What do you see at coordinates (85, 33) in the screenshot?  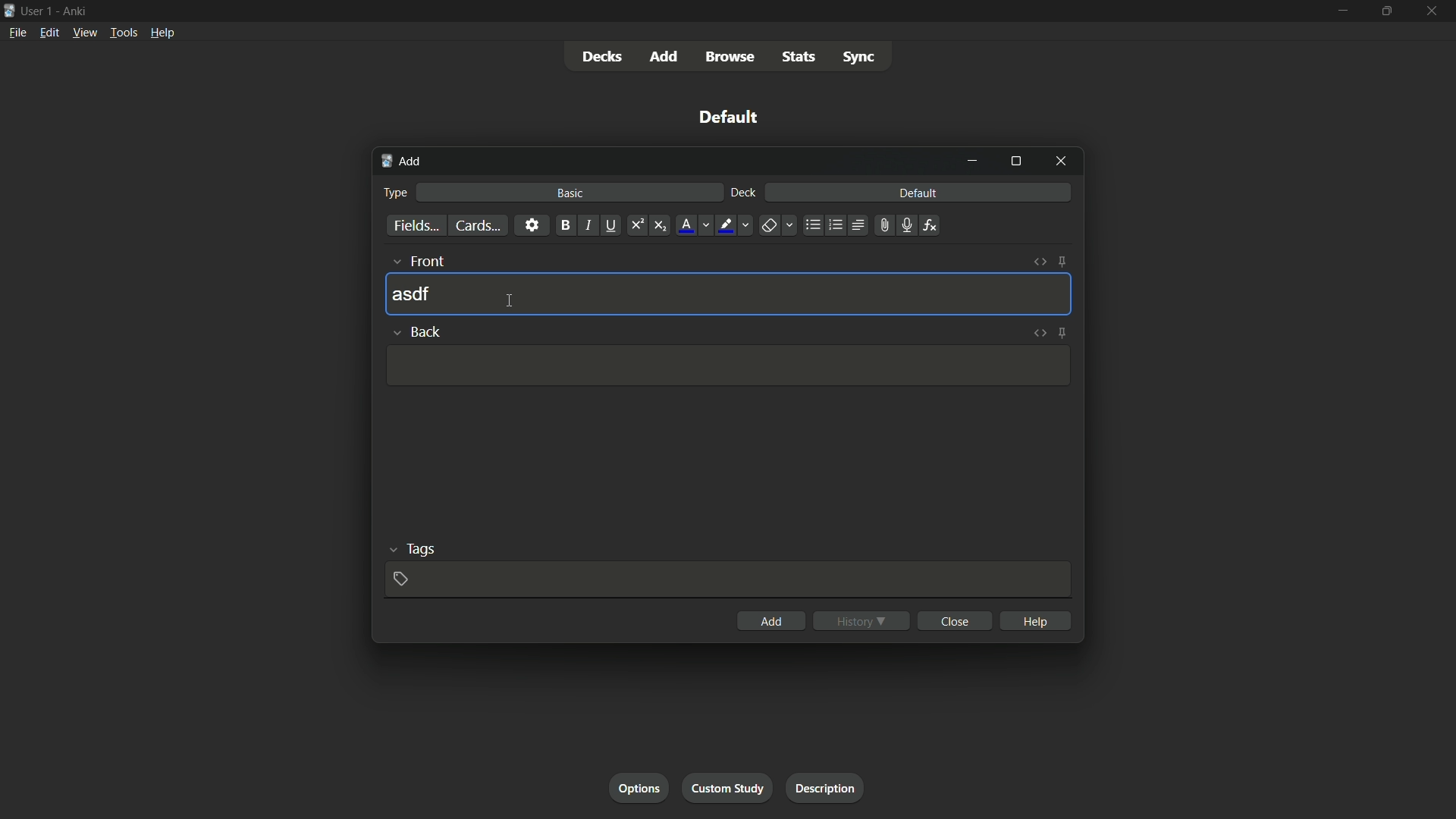 I see `view` at bounding box center [85, 33].